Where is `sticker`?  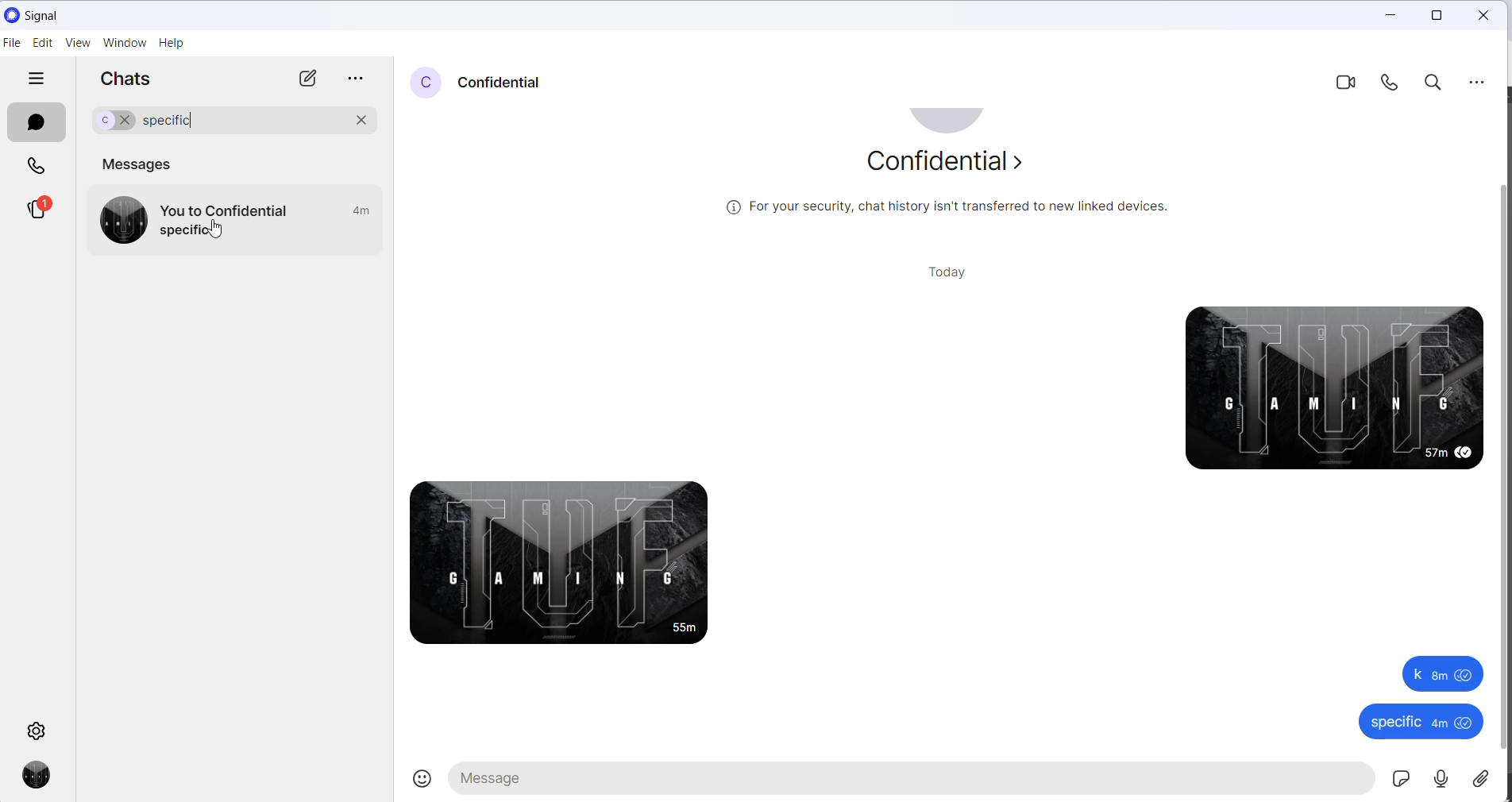 sticker is located at coordinates (1398, 782).